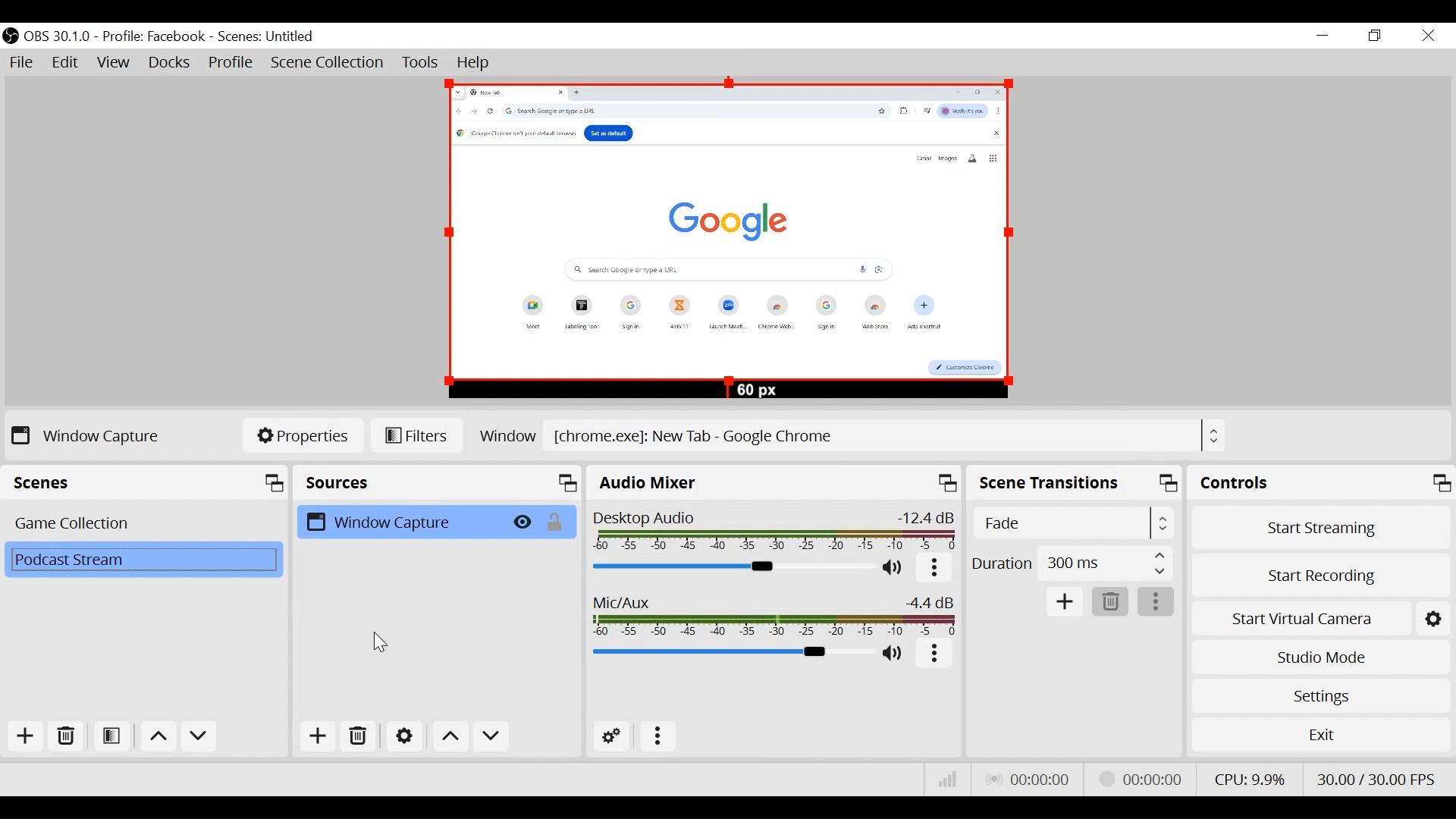  I want to click on Scene , so click(145, 560).